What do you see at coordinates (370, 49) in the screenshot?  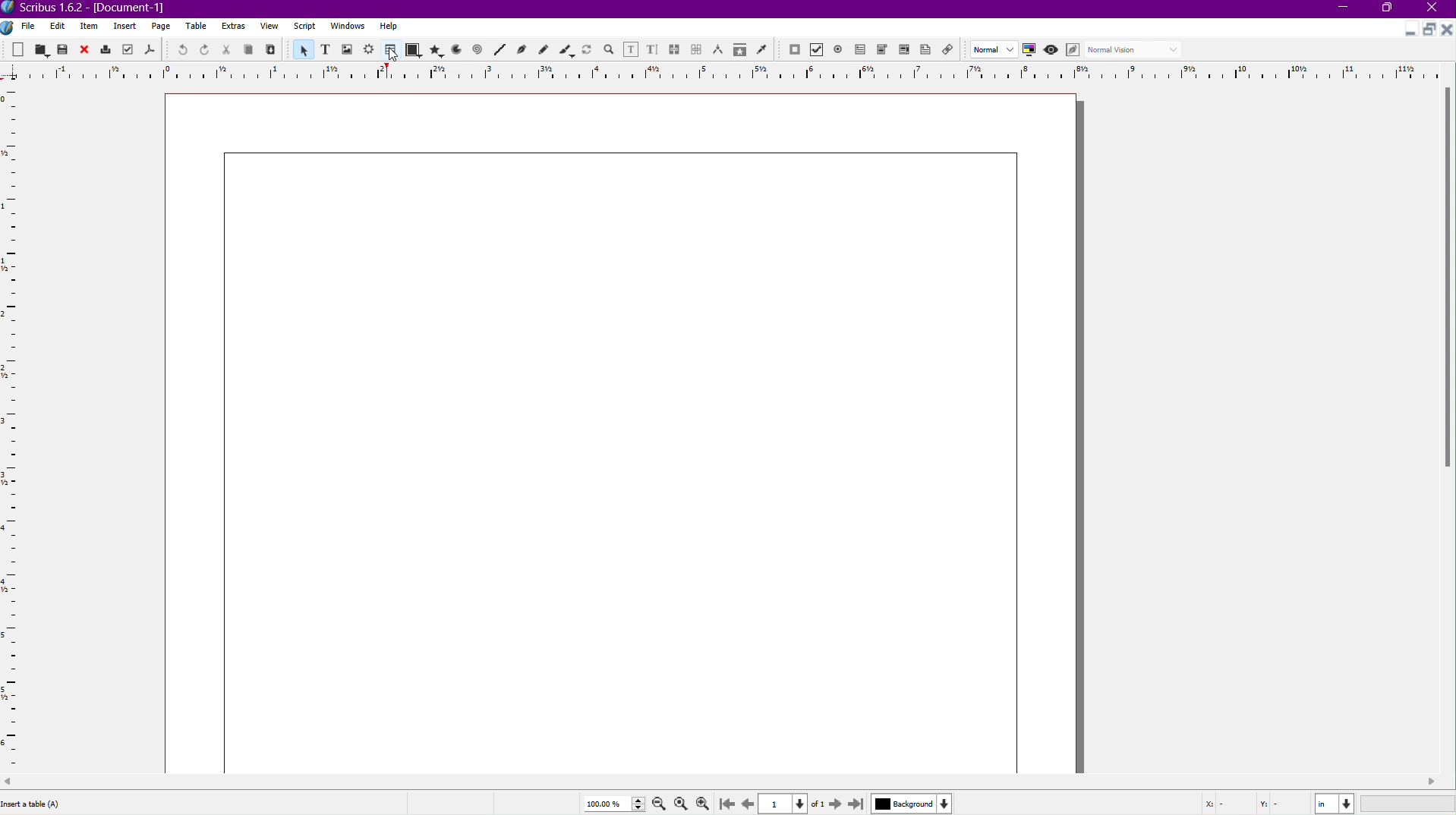 I see `Render Frame` at bounding box center [370, 49].